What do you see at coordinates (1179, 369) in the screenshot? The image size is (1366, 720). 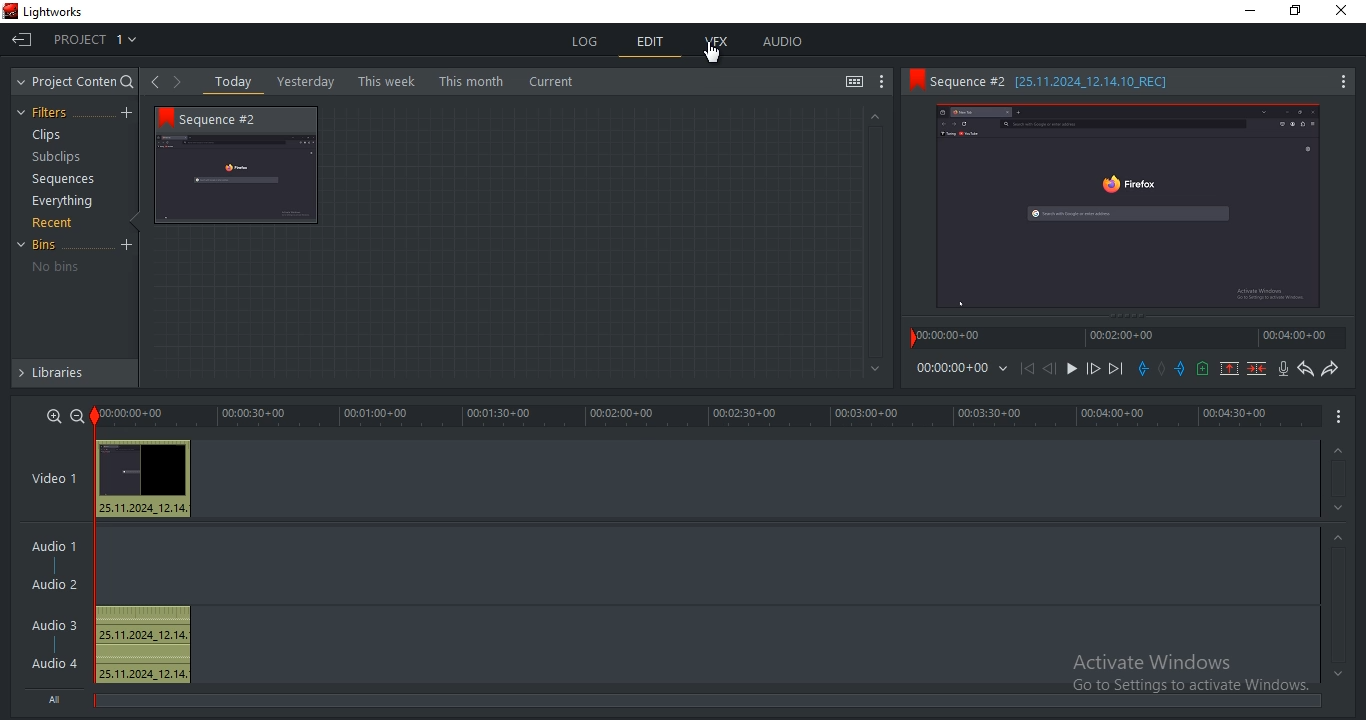 I see `add an out mark` at bounding box center [1179, 369].